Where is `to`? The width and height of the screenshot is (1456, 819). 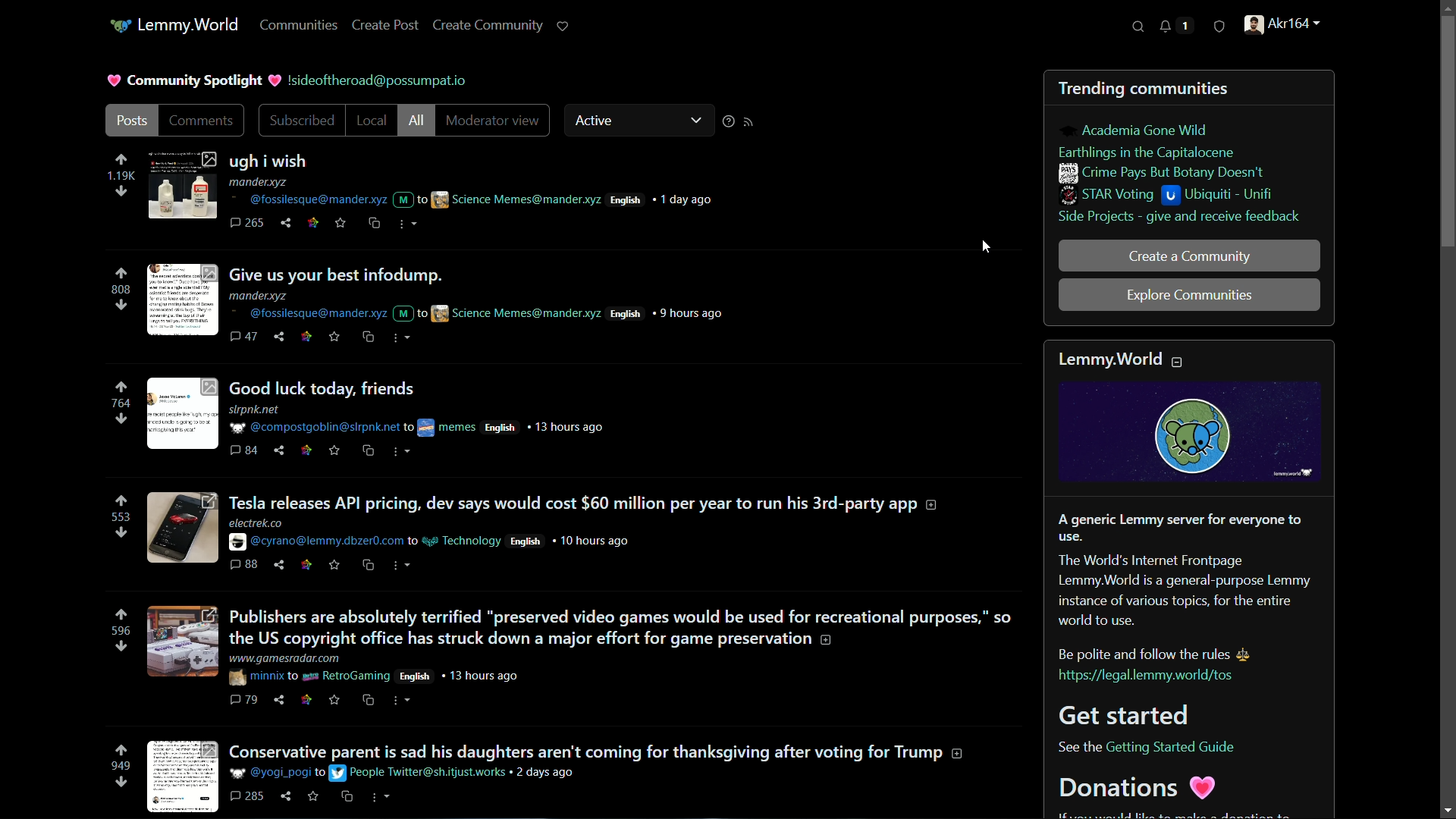 to is located at coordinates (409, 428).